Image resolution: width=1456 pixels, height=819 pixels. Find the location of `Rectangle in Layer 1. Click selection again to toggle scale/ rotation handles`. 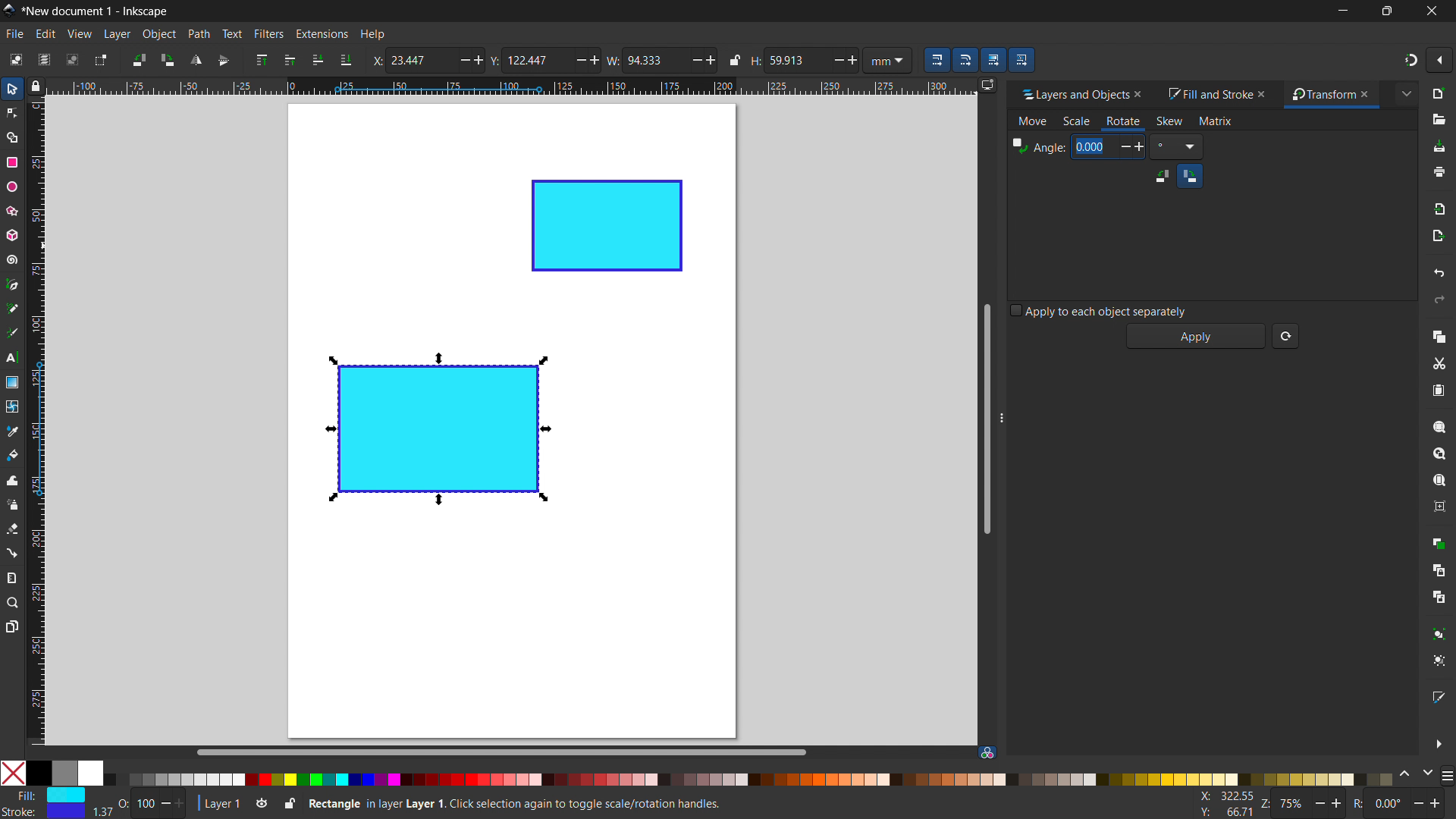

Rectangle in Layer 1. Click selection again to toggle scale/ rotation handles is located at coordinates (518, 802).